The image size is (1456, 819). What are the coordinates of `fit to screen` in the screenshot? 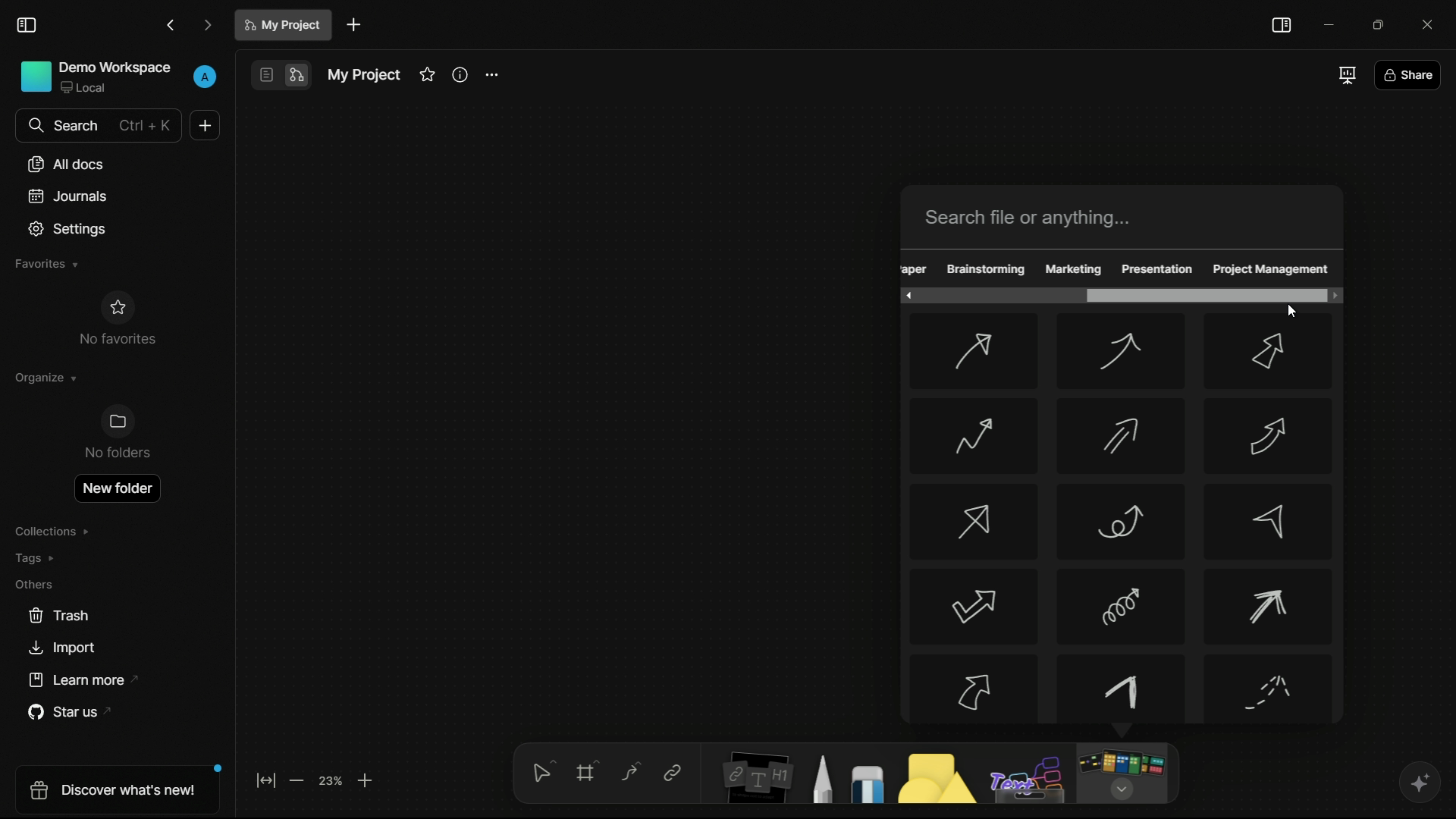 It's located at (265, 780).